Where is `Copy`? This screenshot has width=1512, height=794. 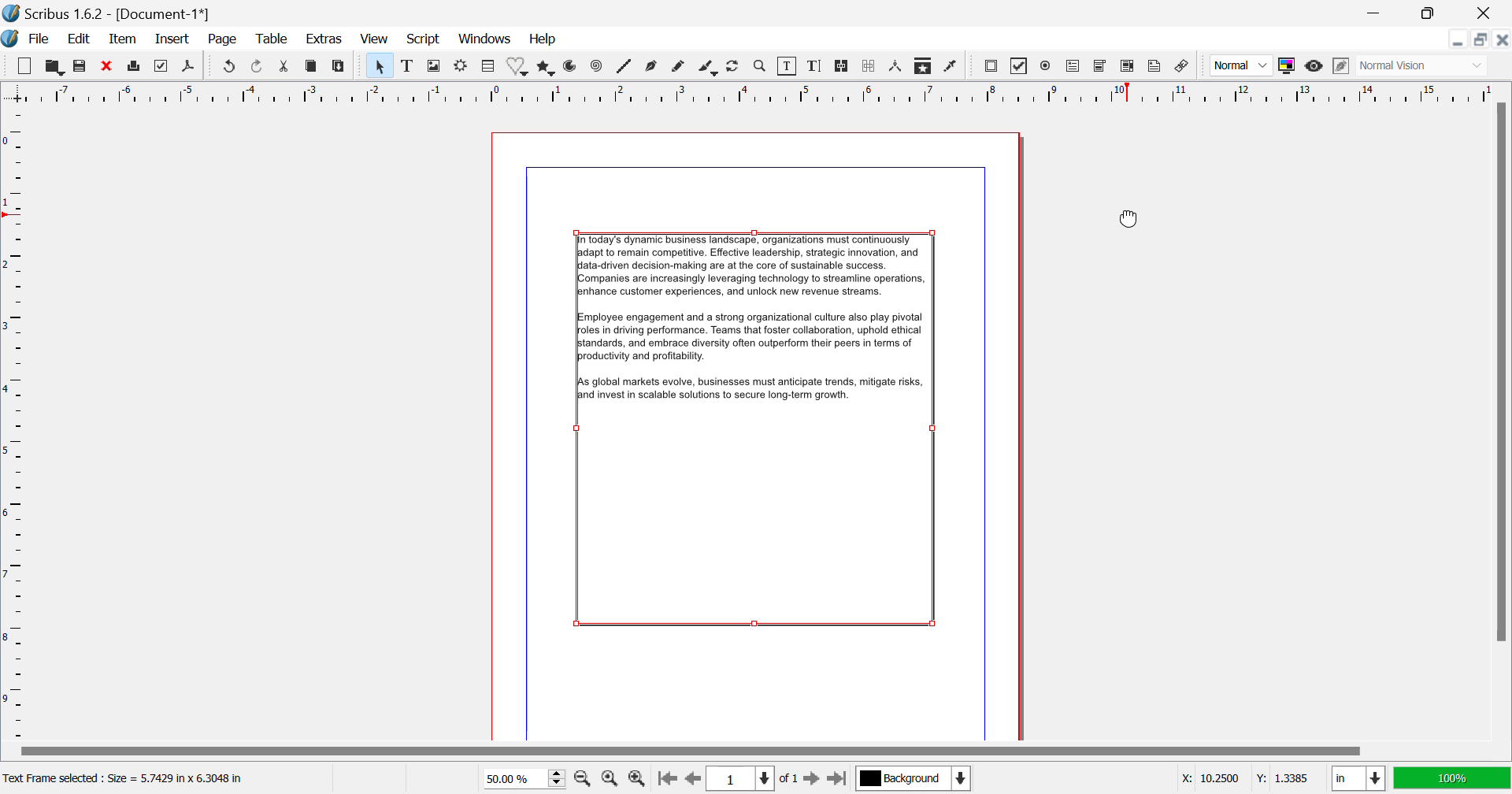 Copy is located at coordinates (313, 66).